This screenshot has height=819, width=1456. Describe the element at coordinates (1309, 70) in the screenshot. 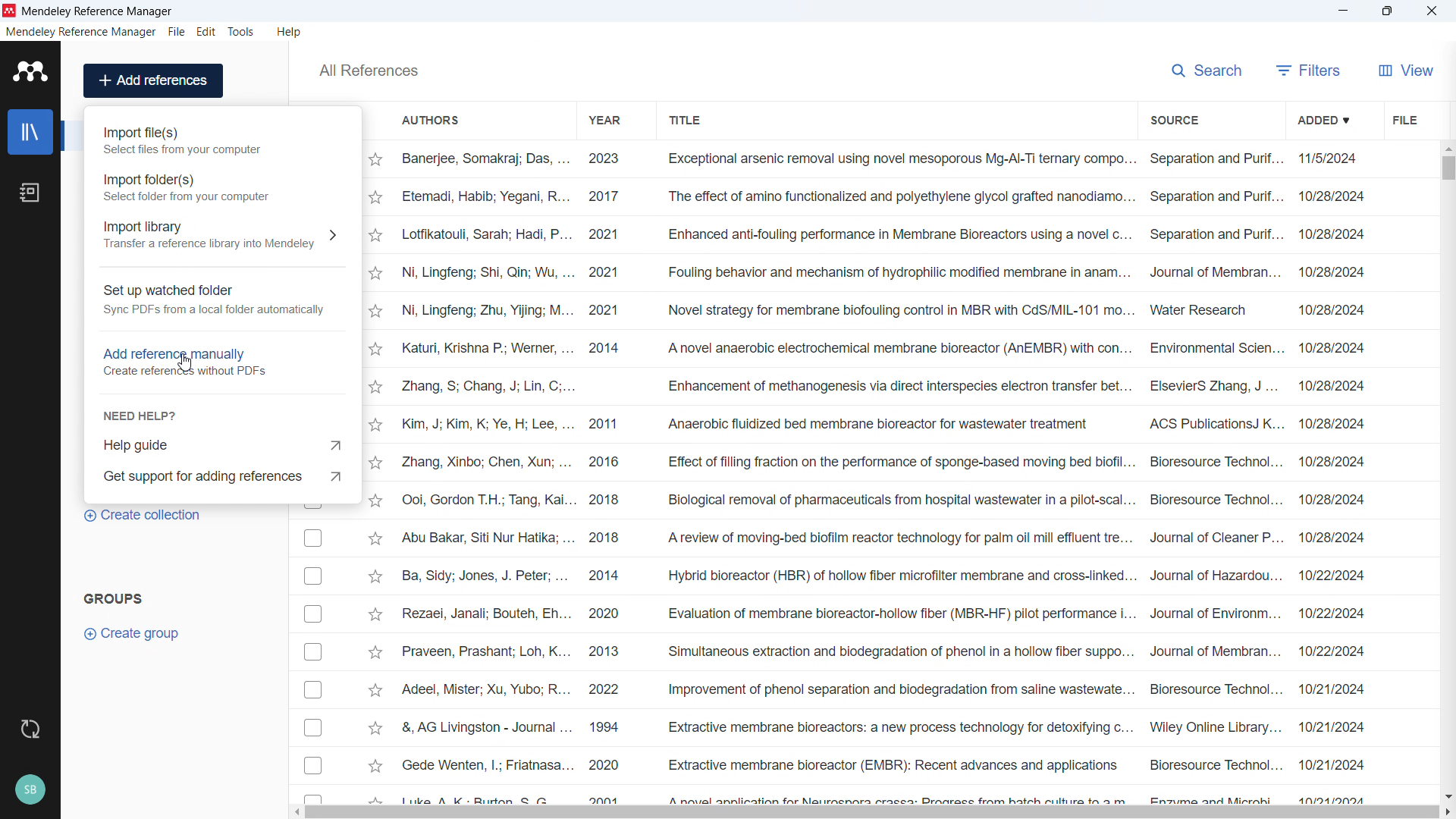

I see `filters` at that location.